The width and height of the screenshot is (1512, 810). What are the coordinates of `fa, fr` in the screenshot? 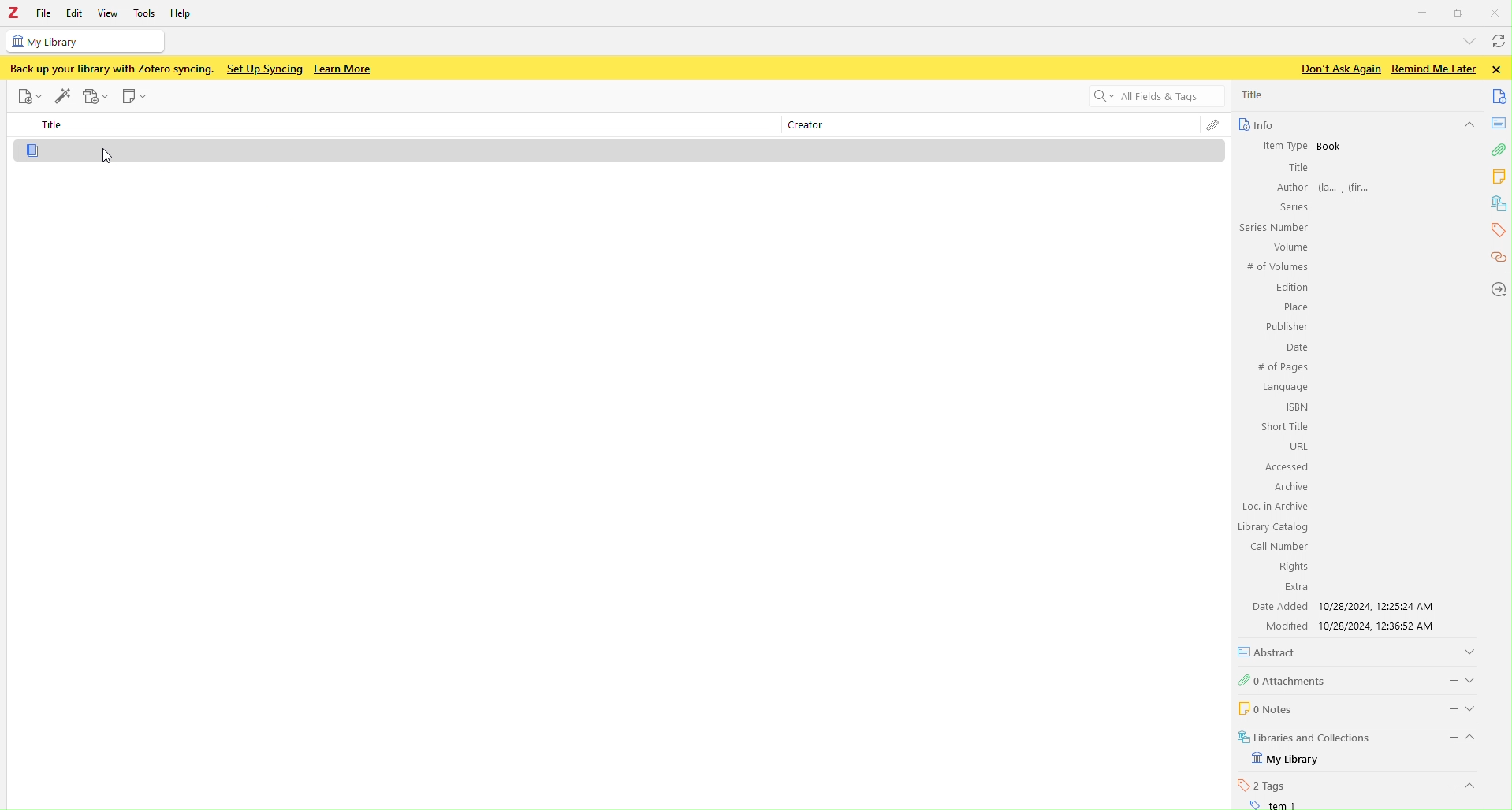 It's located at (1349, 186).